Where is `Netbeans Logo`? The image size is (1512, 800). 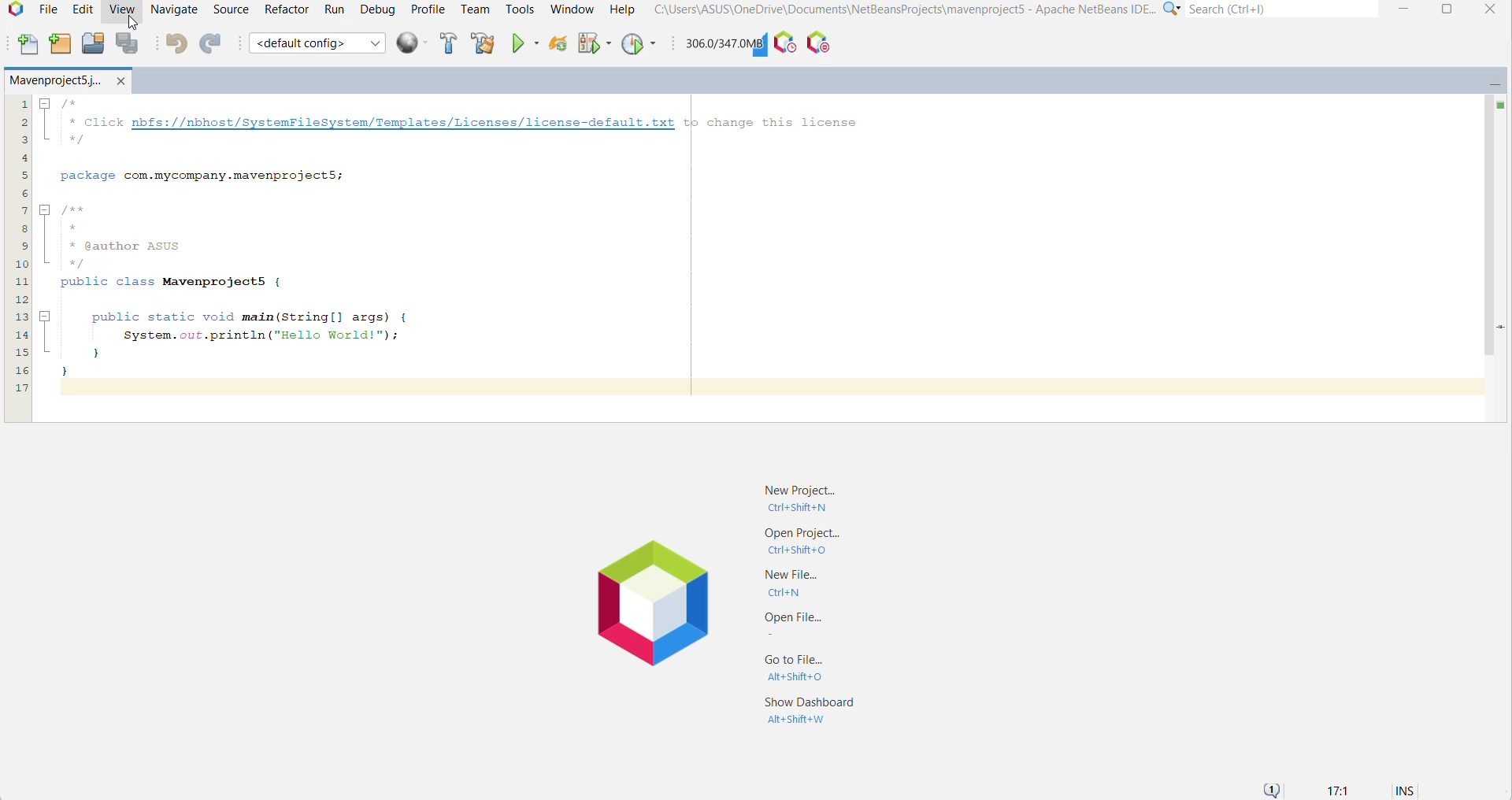 Netbeans Logo is located at coordinates (658, 602).